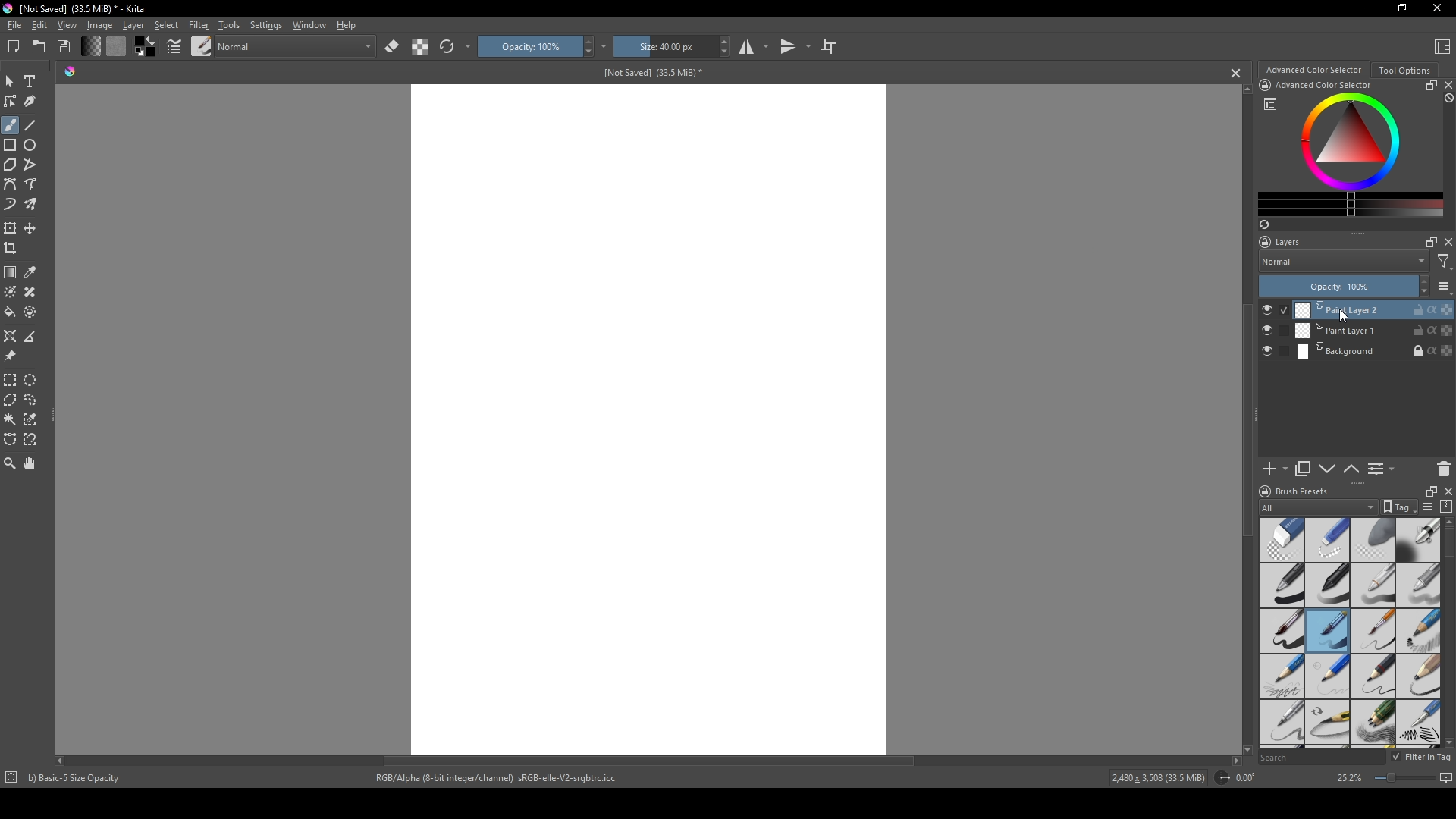 Image resolution: width=1456 pixels, height=819 pixels. I want to click on Tools, so click(229, 24).